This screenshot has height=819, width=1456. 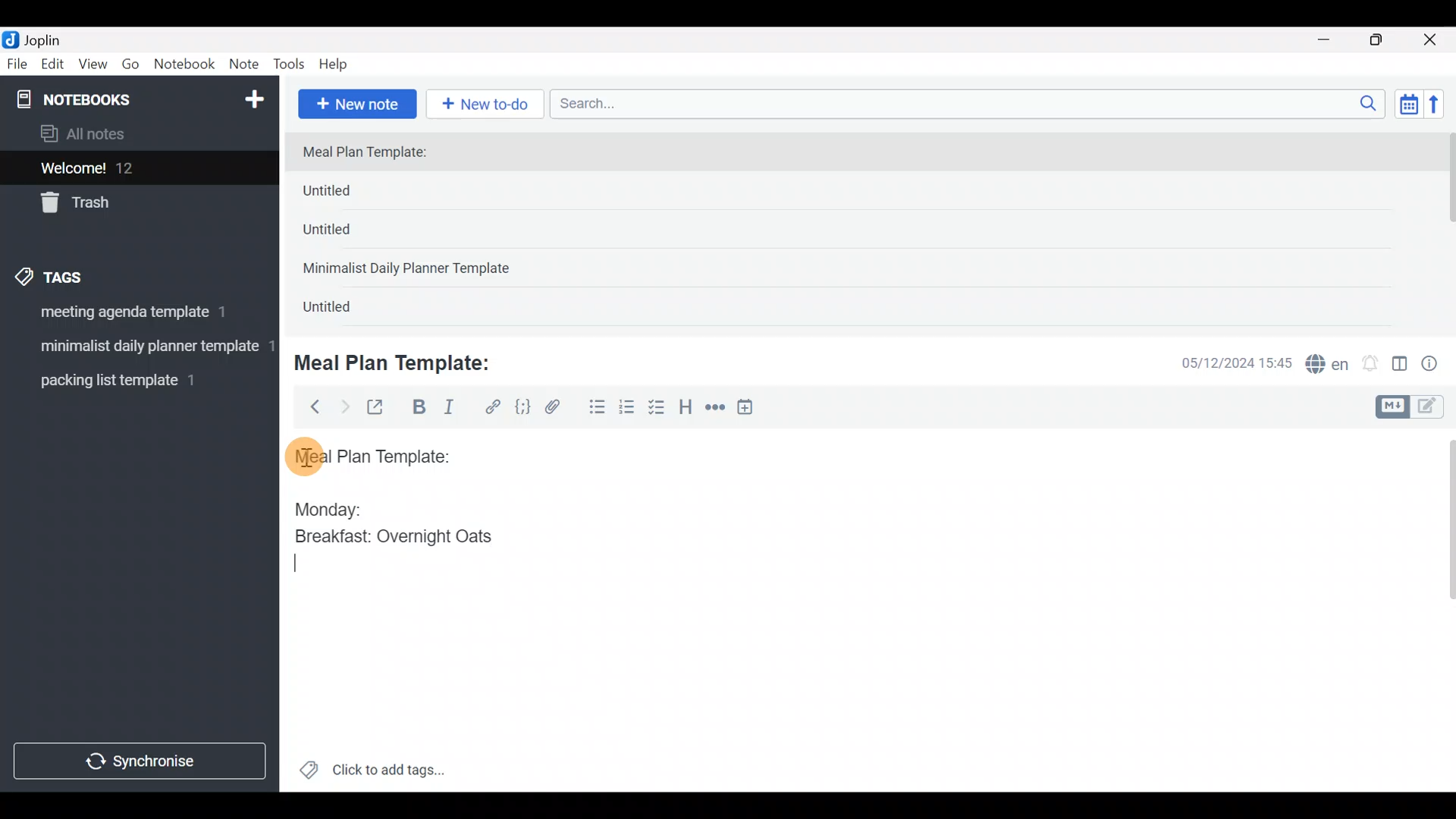 What do you see at coordinates (1442, 108) in the screenshot?
I see `Reverse sort` at bounding box center [1442, 108].